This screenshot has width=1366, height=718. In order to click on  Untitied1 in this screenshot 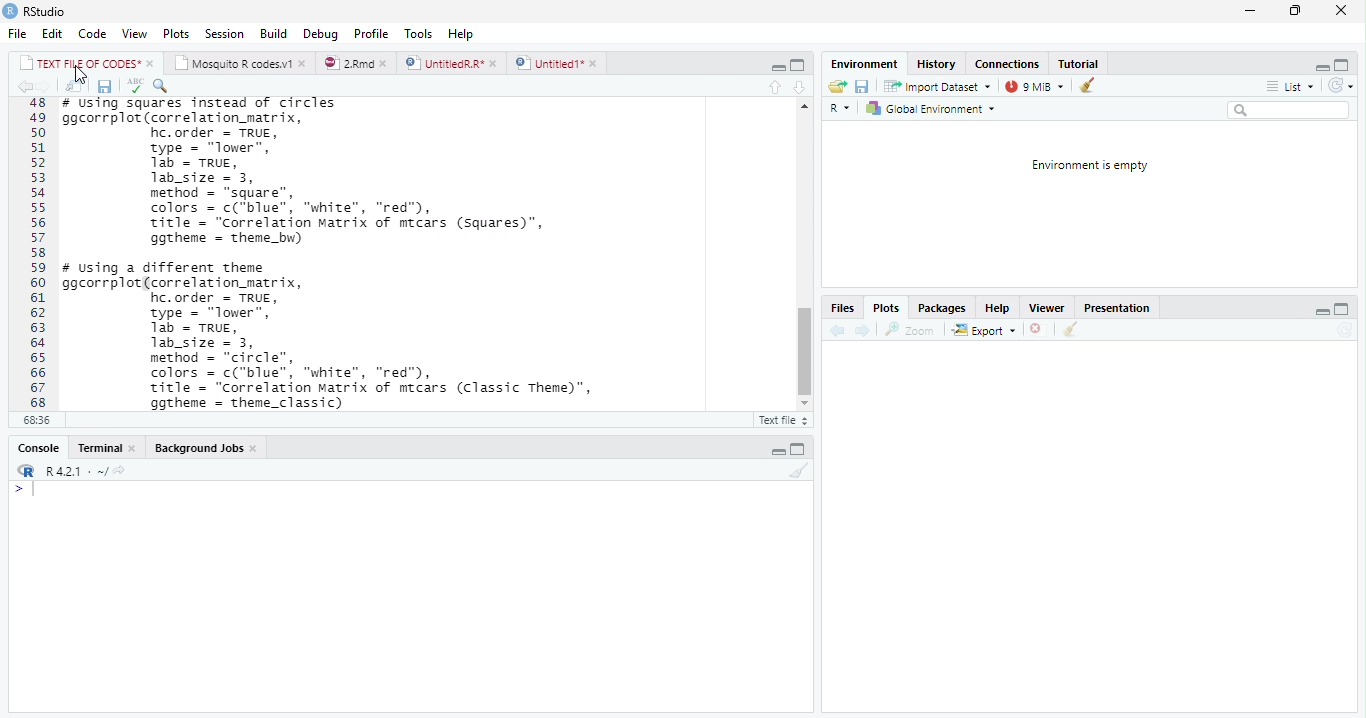, I will do `click(557, 63)`.